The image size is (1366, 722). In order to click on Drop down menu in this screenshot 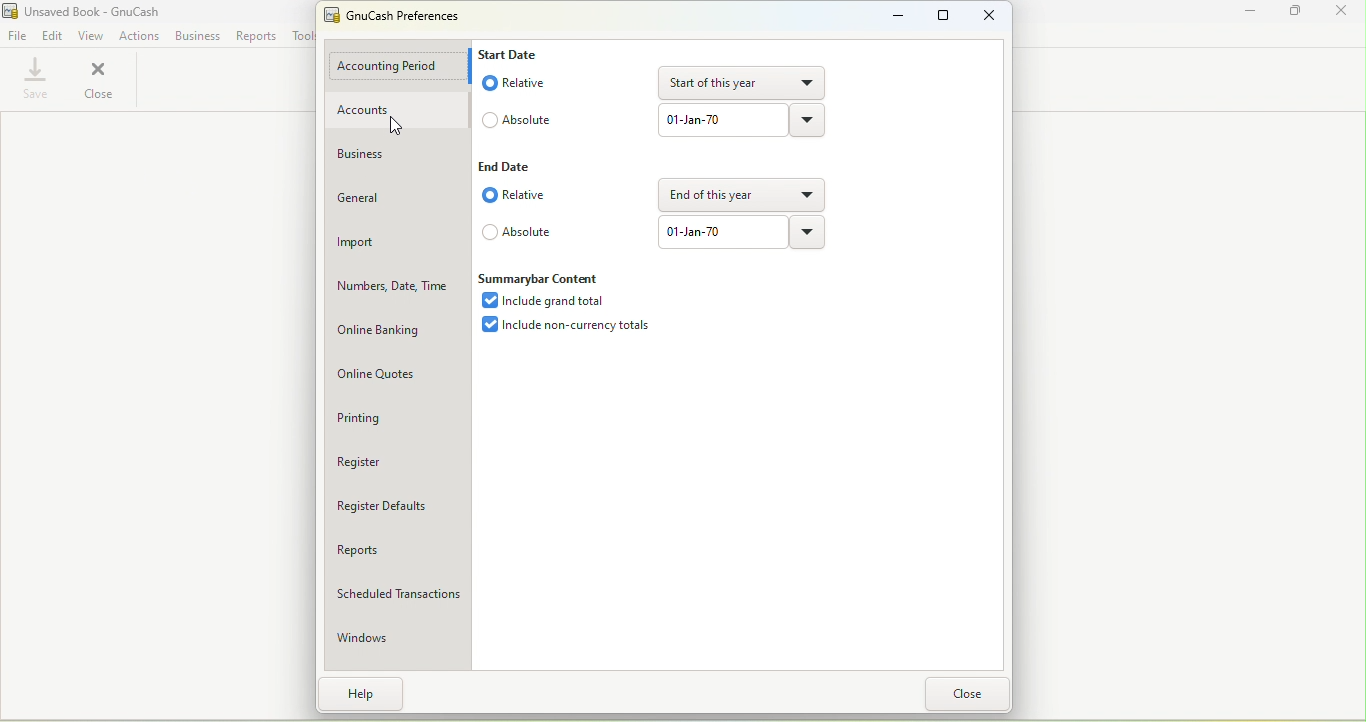, I will do `click(806, 232)`.